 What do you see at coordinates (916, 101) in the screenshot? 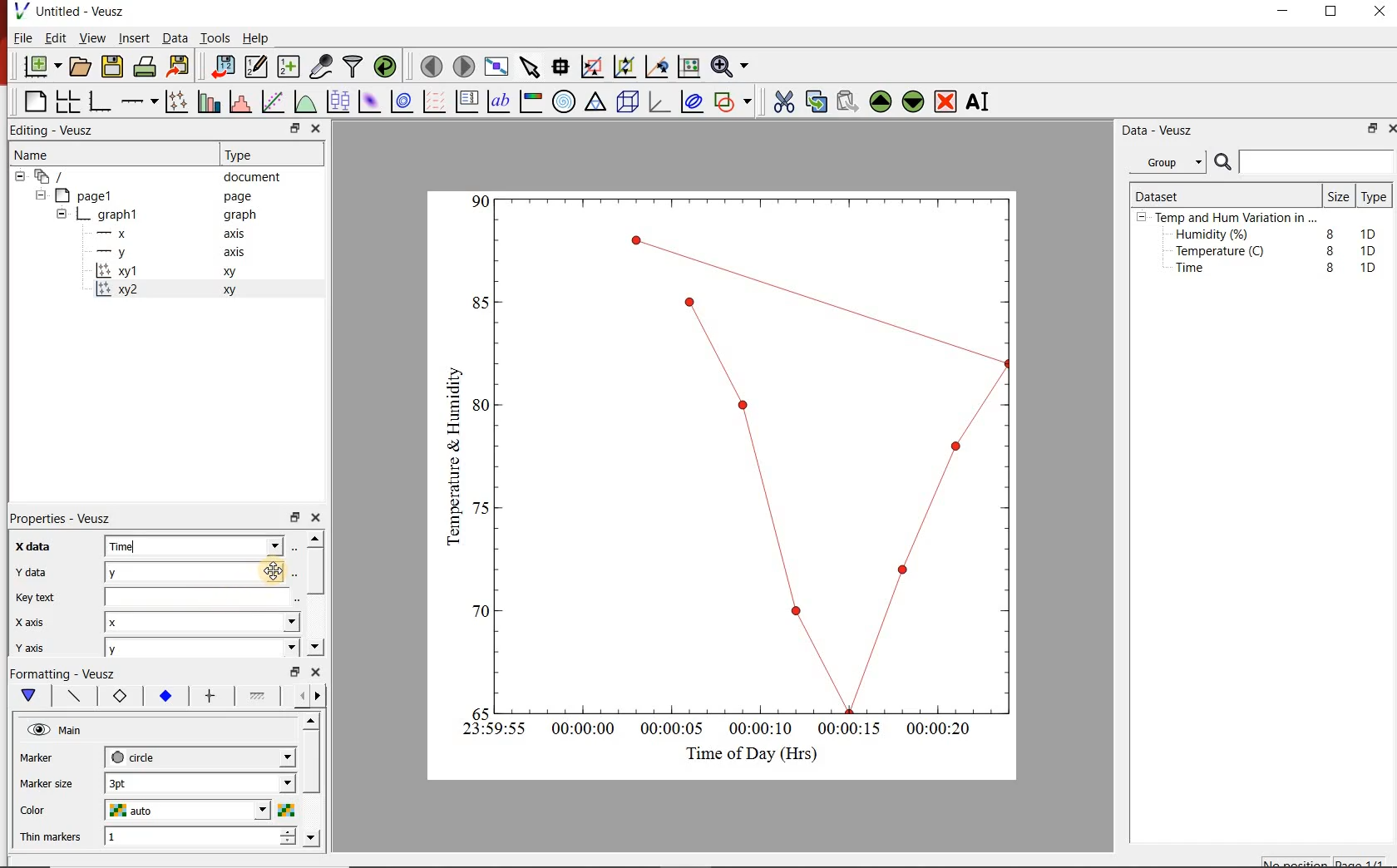
I see `Move the selected widget down` at bounding box center [916, 101].